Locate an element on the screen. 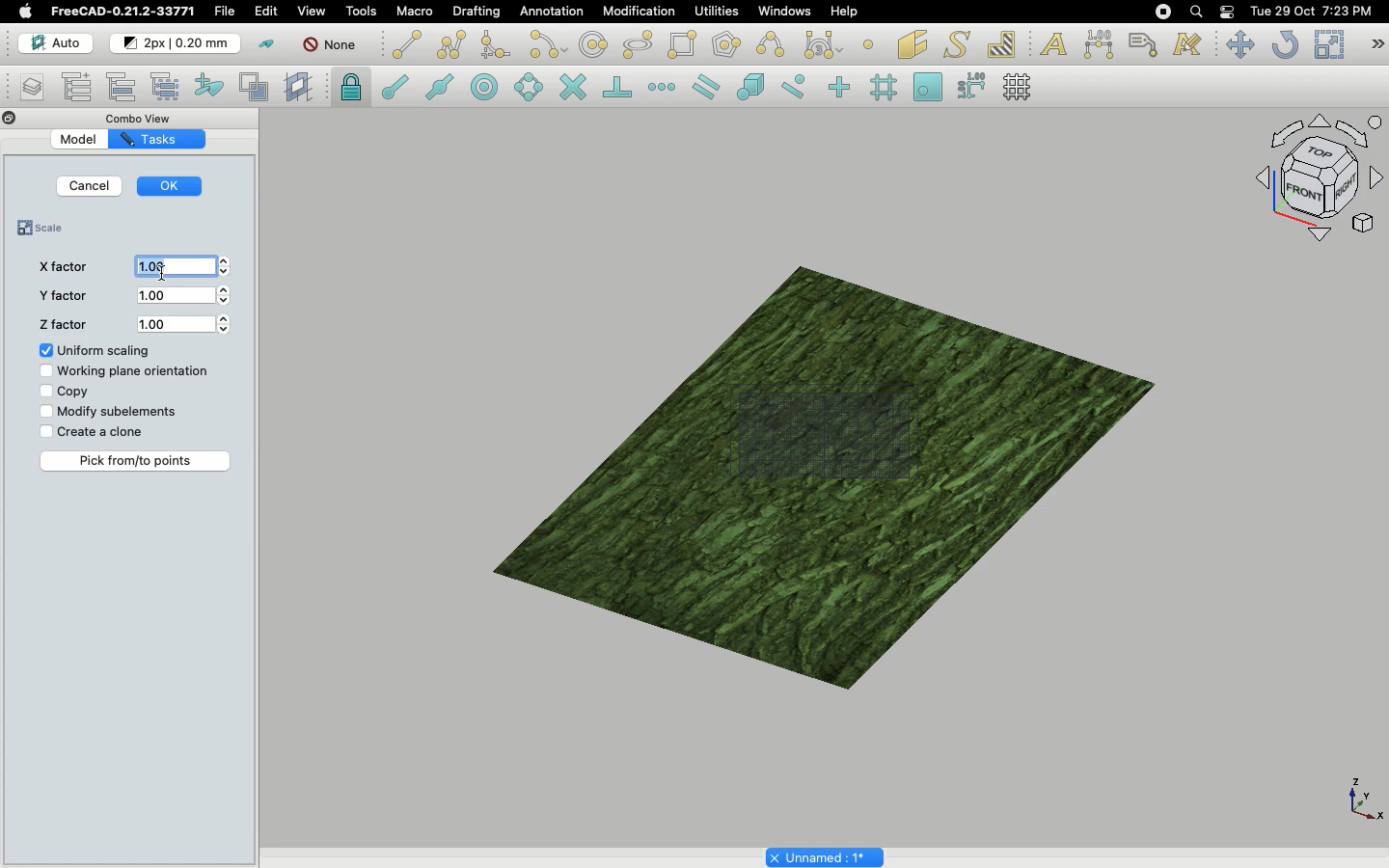 The width and height of the screenshot is (1389, 868). Snap grid is located at coordinates (885, 87).